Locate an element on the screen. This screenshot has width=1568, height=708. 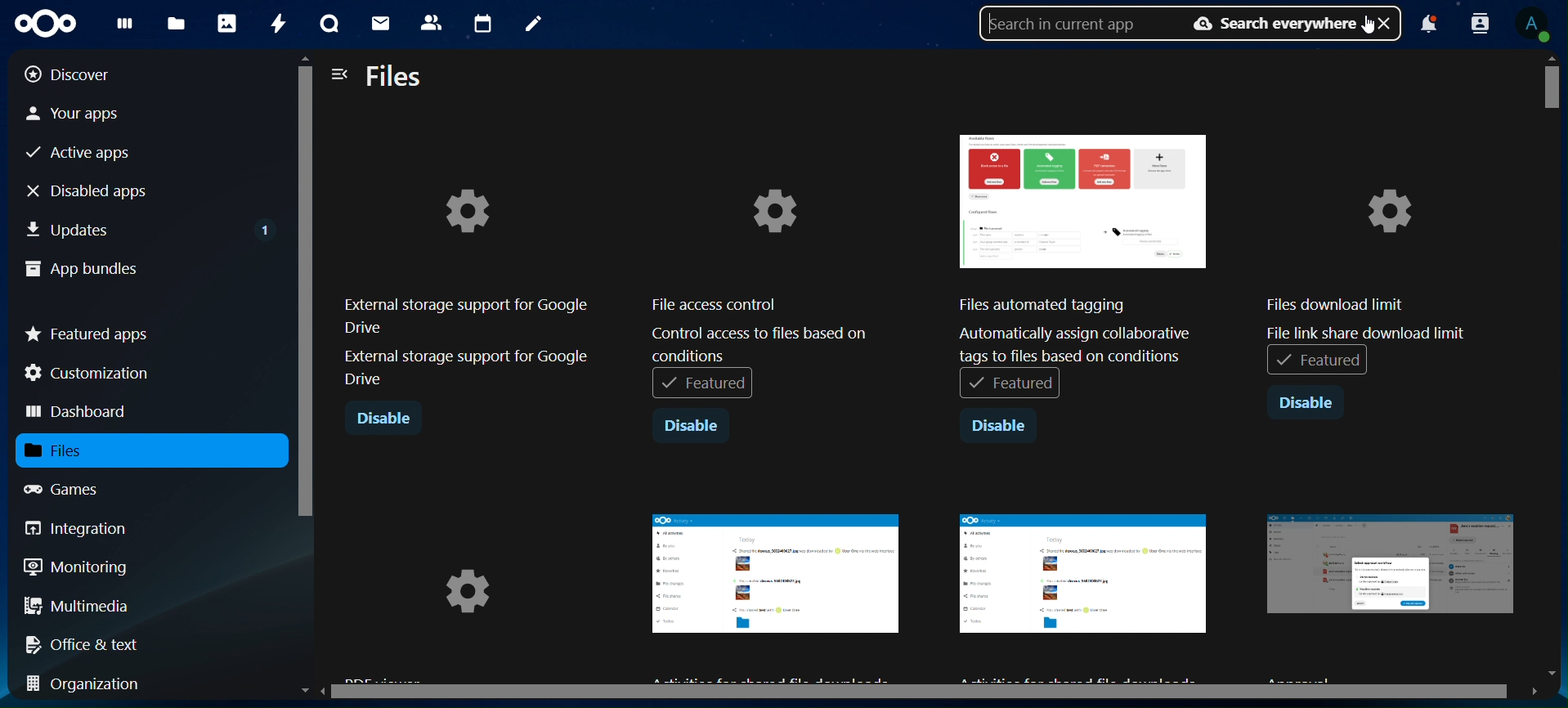
disable is located at coordinates (1310, 402).